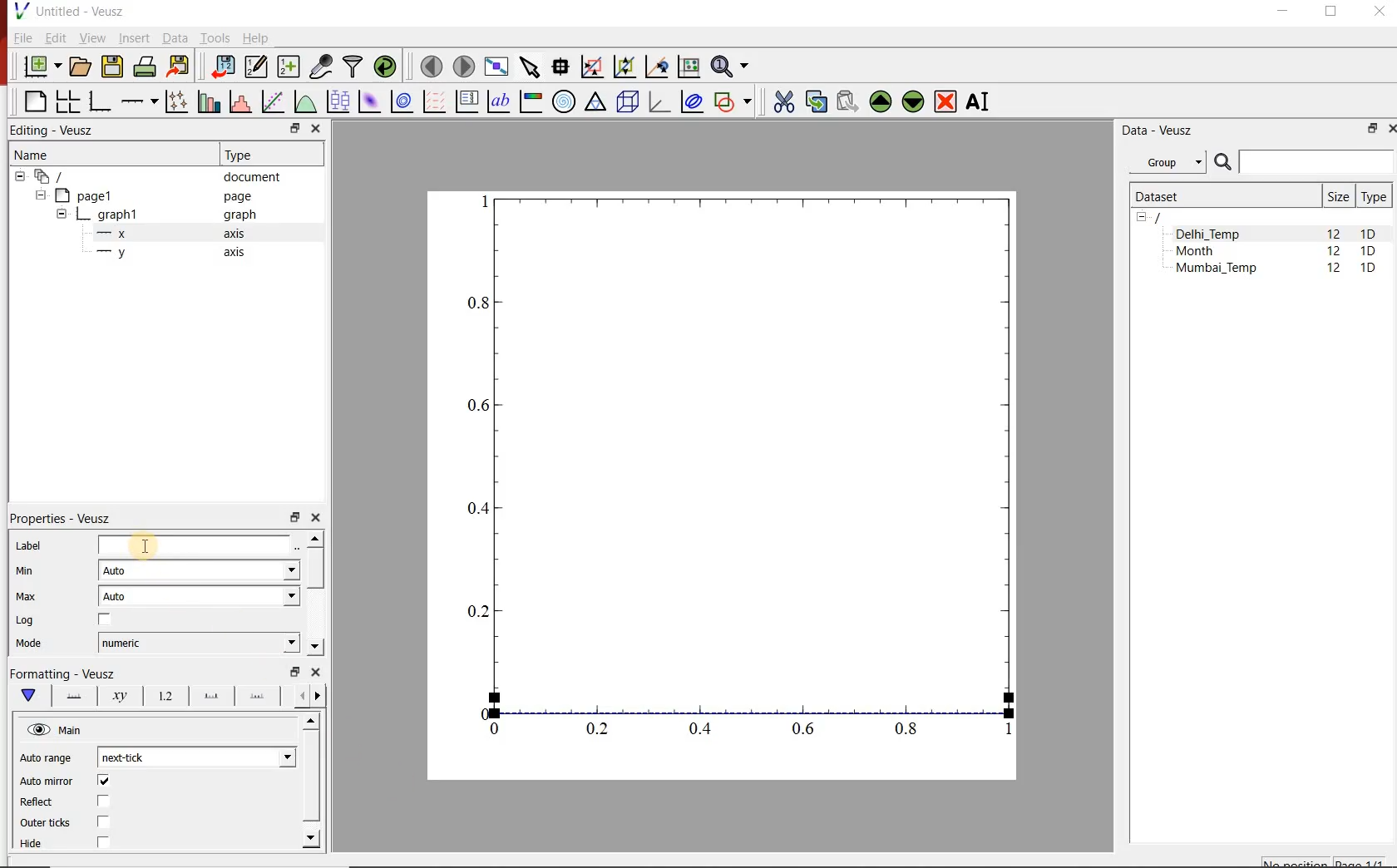 This screenshot has height=868, width=1397. I want to click on Name, so click(33, 154).